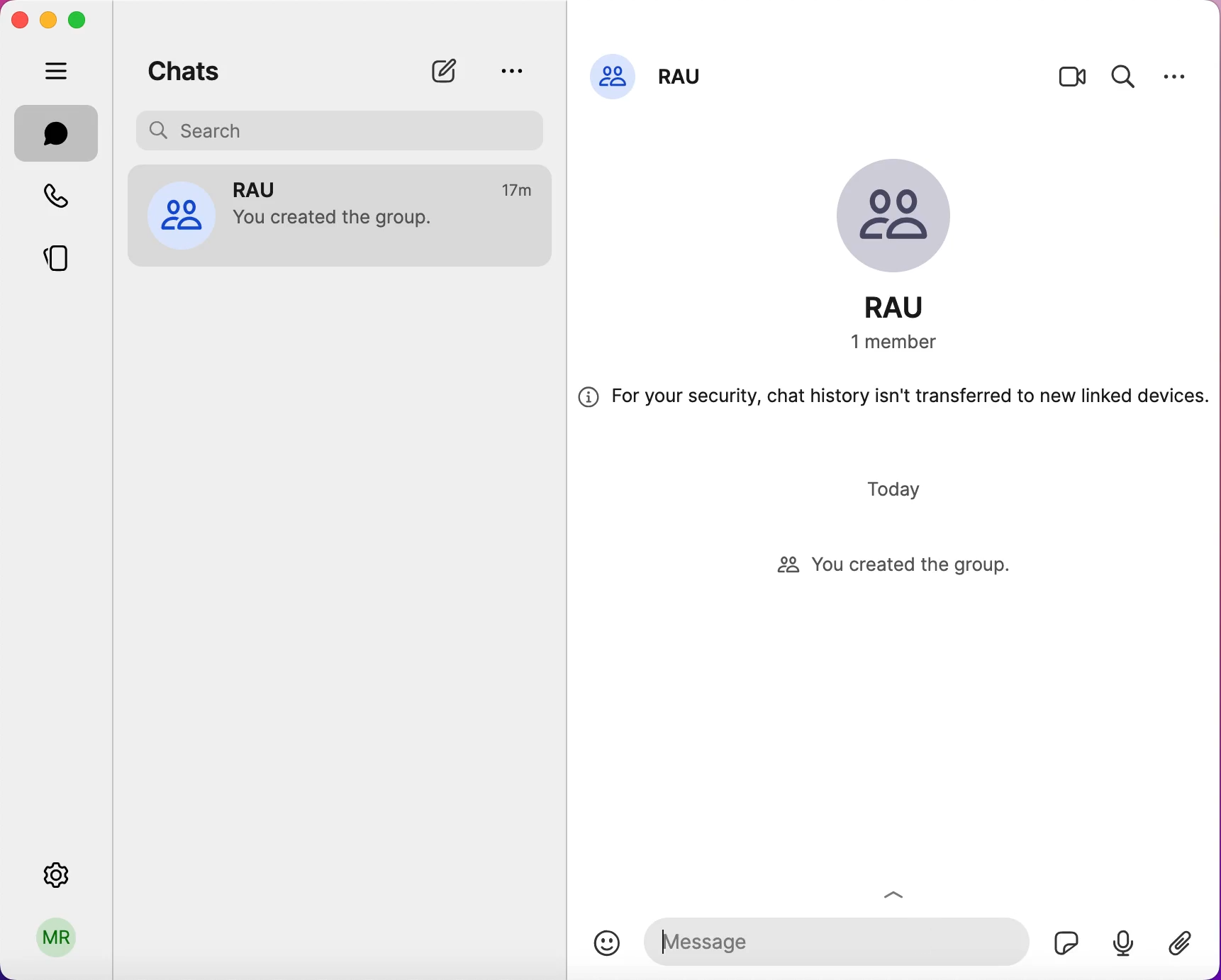 This screenshot has height=980, width=1221. What do you see at coordinates (342, 221) in the screenshot?
I see `You created the group.` at bounding box center [342, 221].